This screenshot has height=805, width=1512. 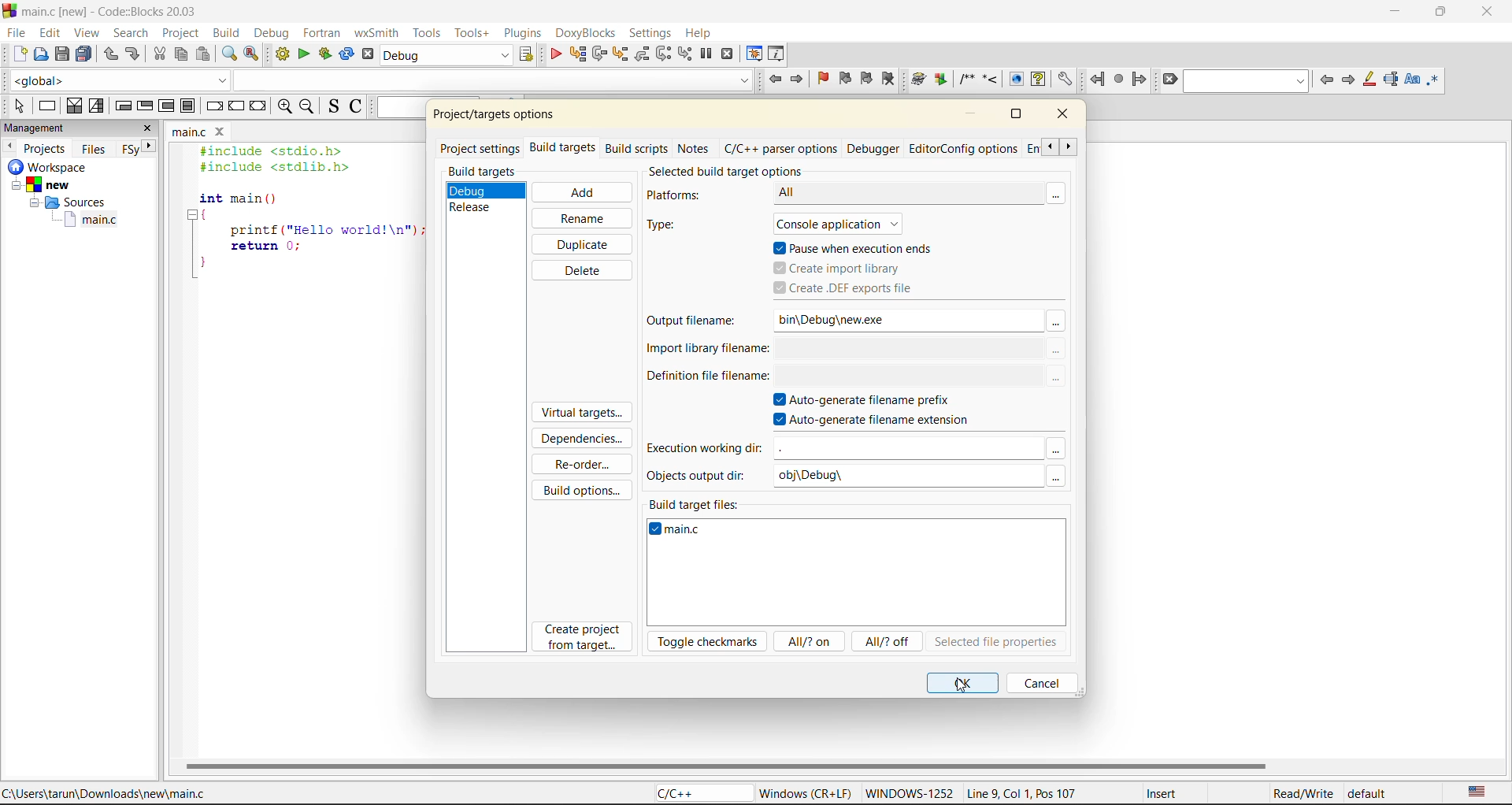 I want to click on tools+, so click(x=471, y=32).